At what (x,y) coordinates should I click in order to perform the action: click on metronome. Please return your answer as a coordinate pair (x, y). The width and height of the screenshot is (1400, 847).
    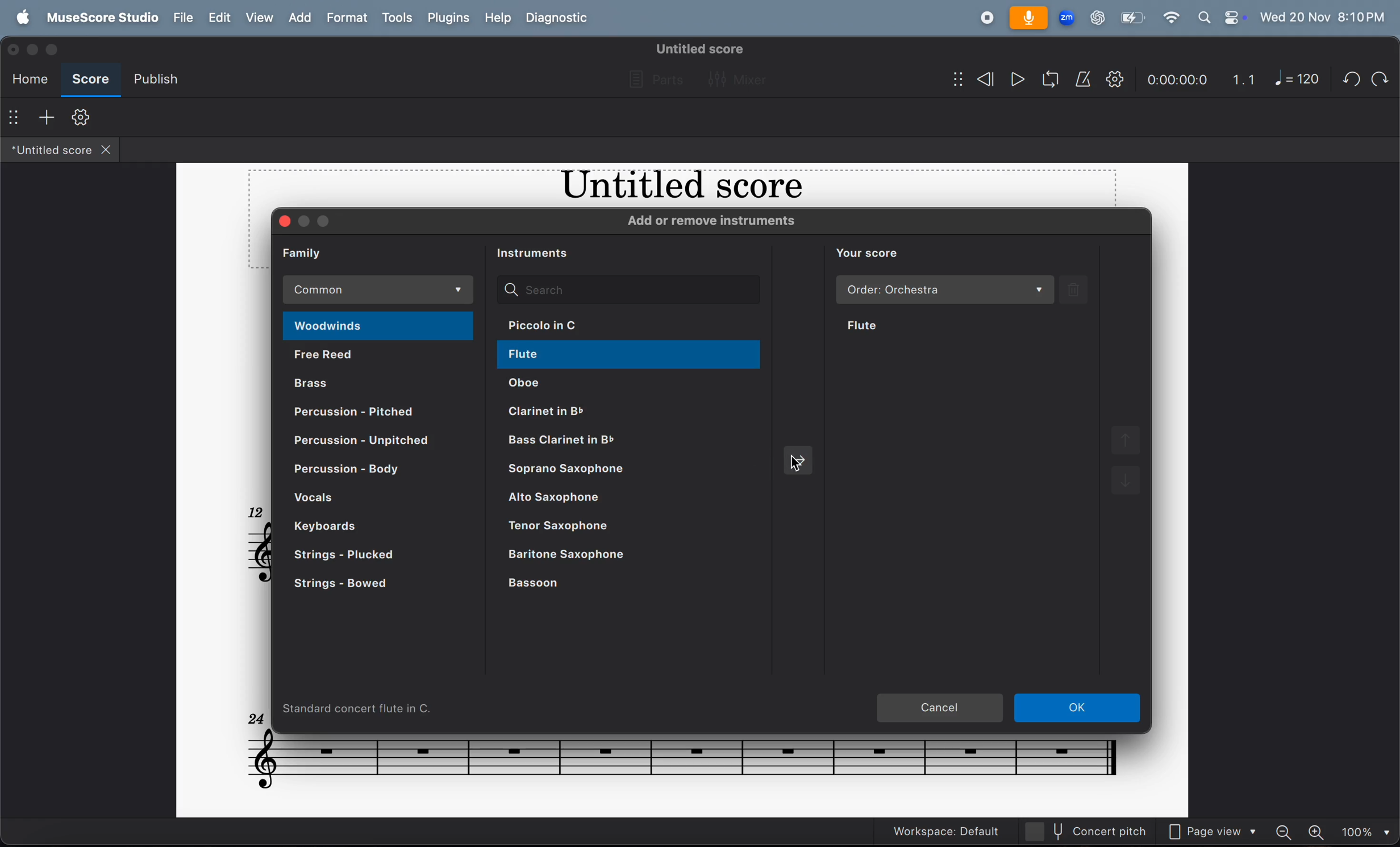
    Looking at the image, I should click on (1084, 80).